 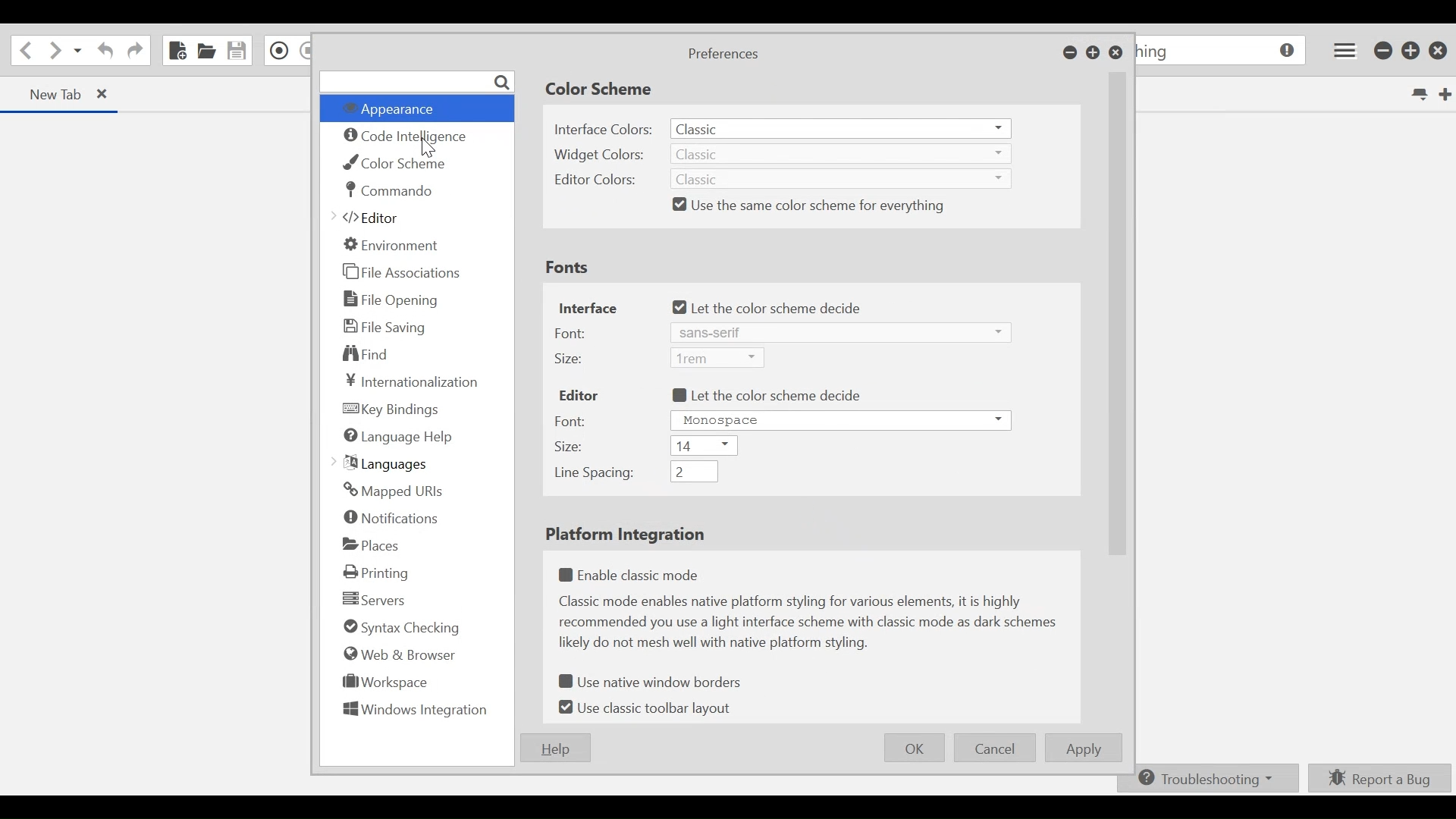 What do you see at coordinates (392, 244) in the screenshot?
I see `Environment` at bounding box center [392, 244].